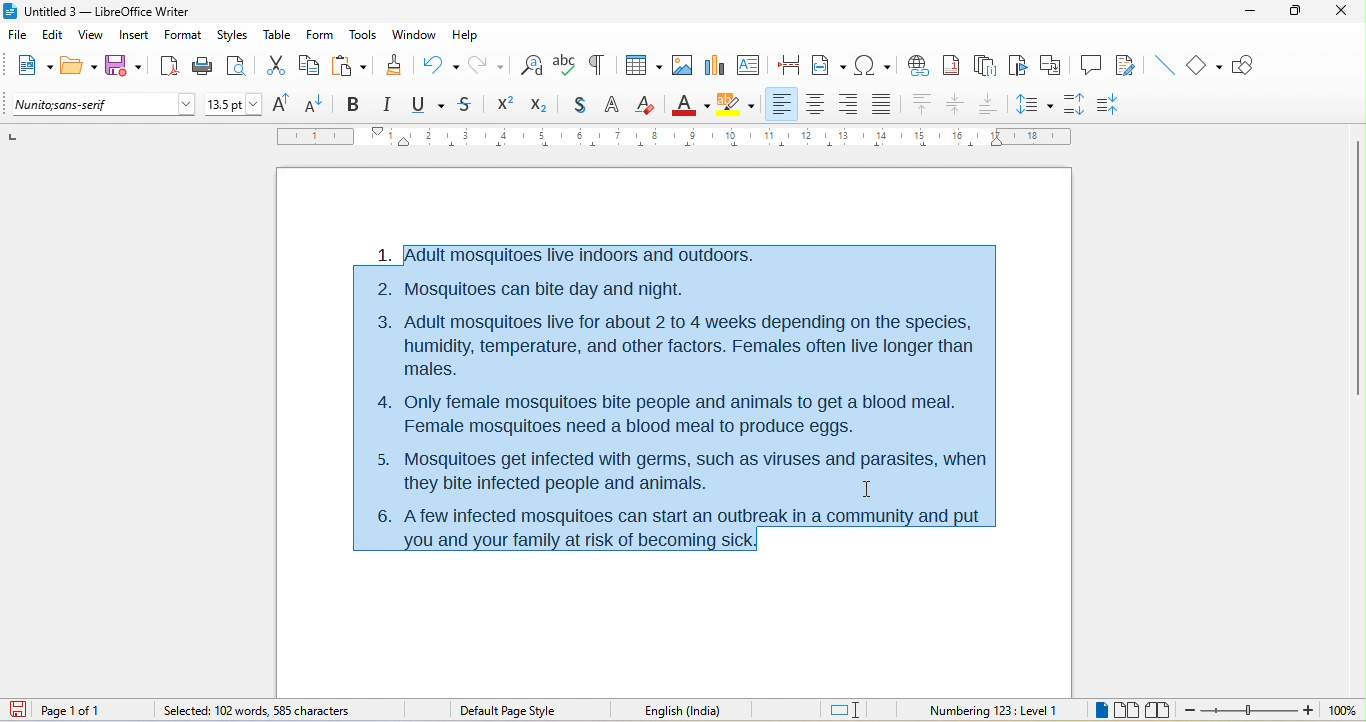 This screenshot has width=1366, height=722. What do you see at coordinates (1272, 711) in the screenshot?
I see `zoom` at bounding box center [1272, 711].